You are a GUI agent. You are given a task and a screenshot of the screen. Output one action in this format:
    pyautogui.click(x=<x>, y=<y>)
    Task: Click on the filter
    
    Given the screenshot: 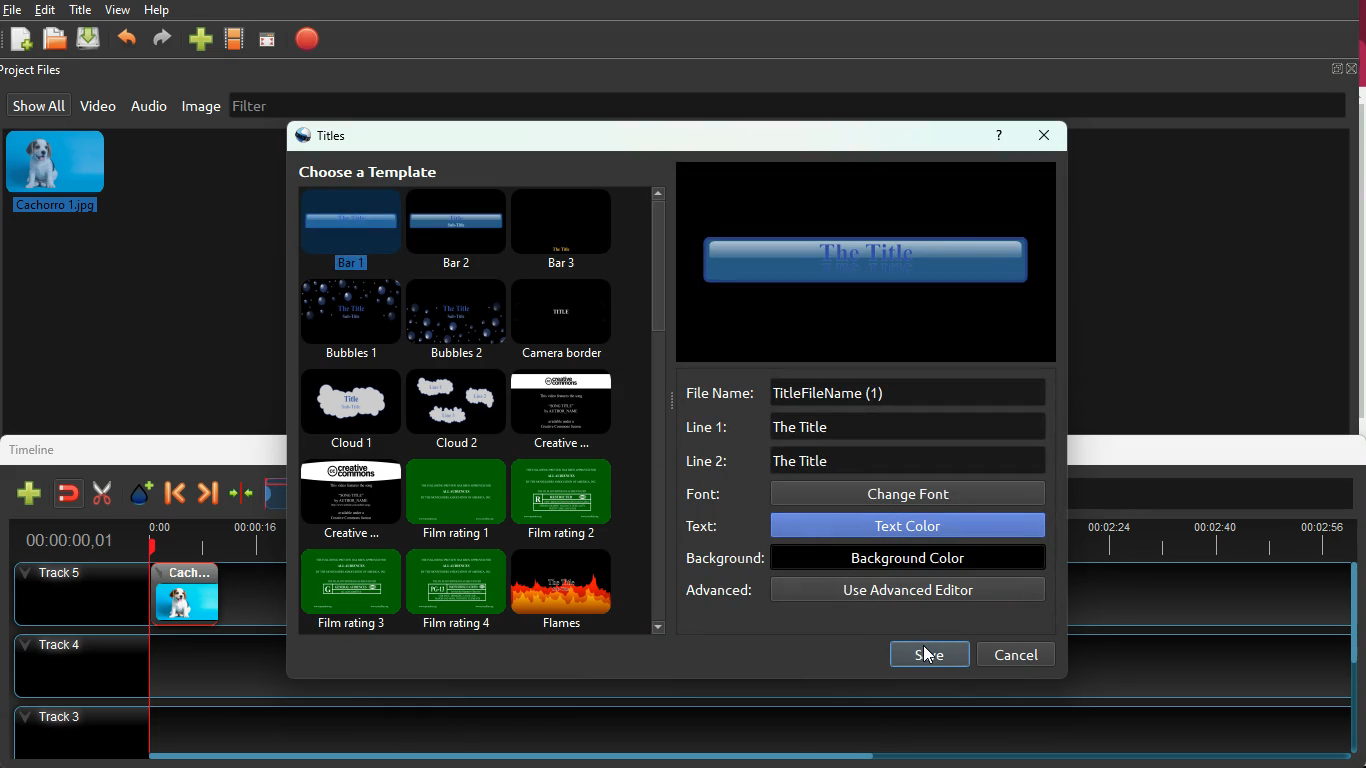 What is the action you would take?
    pyautogui.click(x=359, y=103)
    